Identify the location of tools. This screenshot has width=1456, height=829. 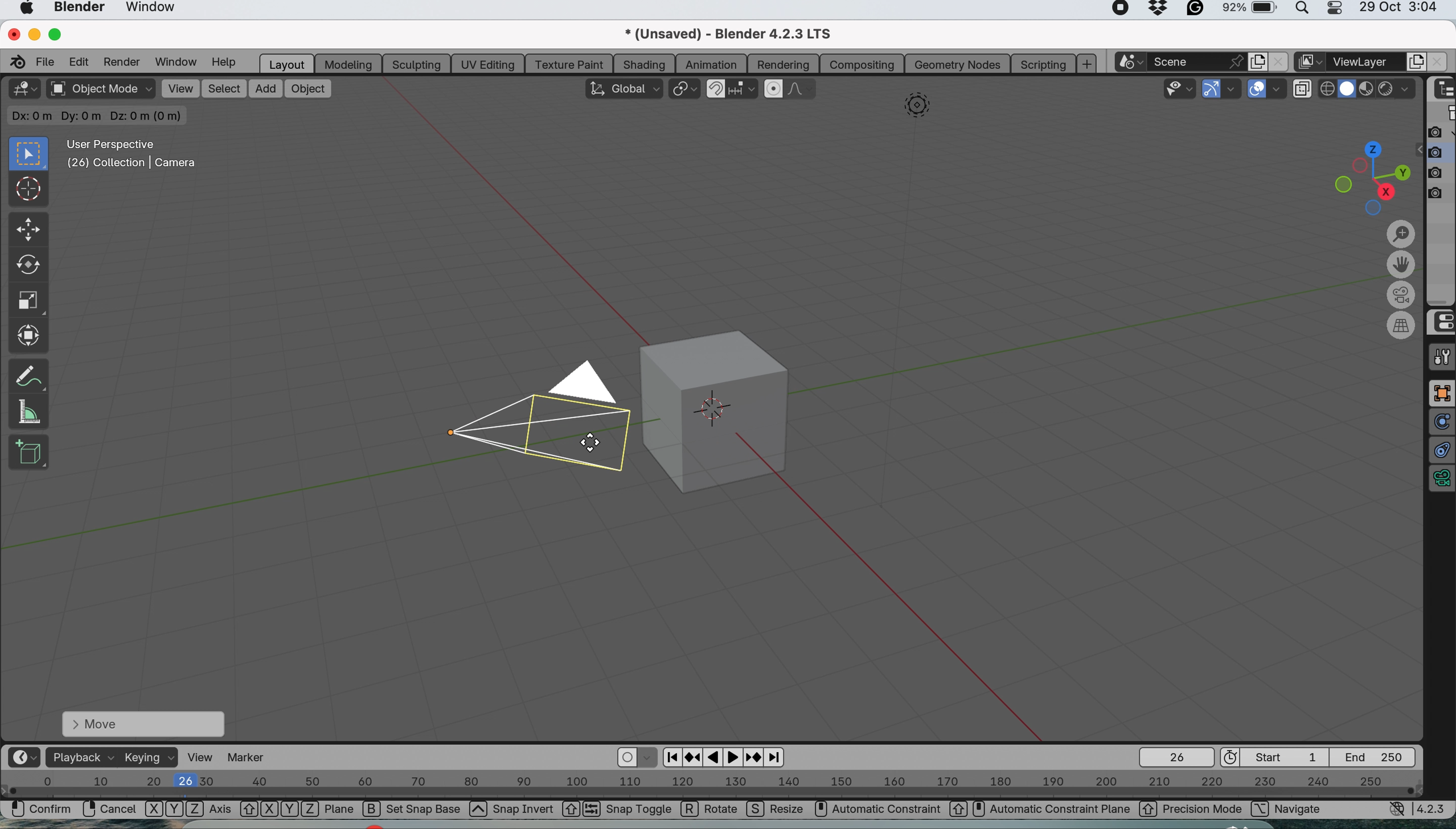
(1441, 357).